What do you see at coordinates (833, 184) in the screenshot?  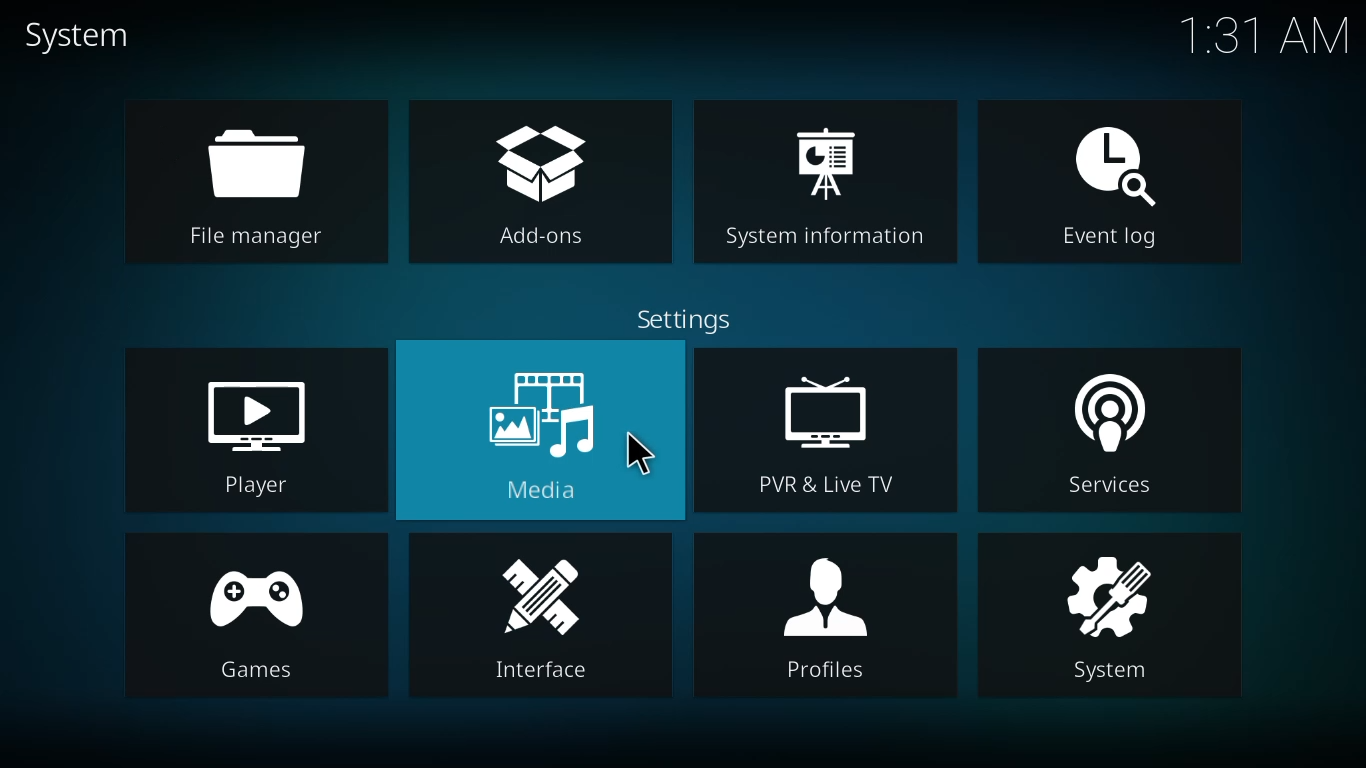 I see `system information` at bounding box center [833, 184].